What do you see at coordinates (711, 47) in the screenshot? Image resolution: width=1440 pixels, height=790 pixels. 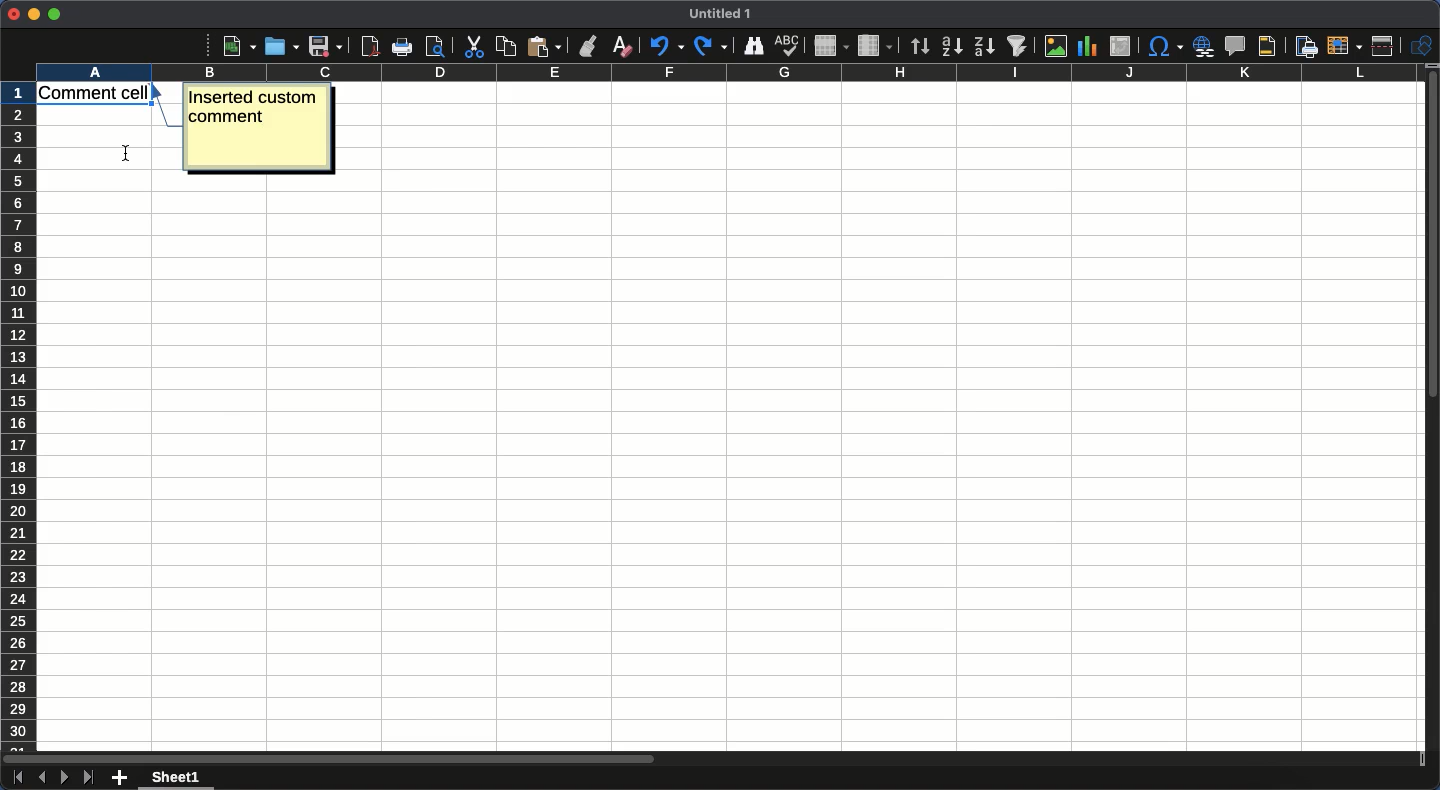 I see `Redo` at bounding box center [711, 47].